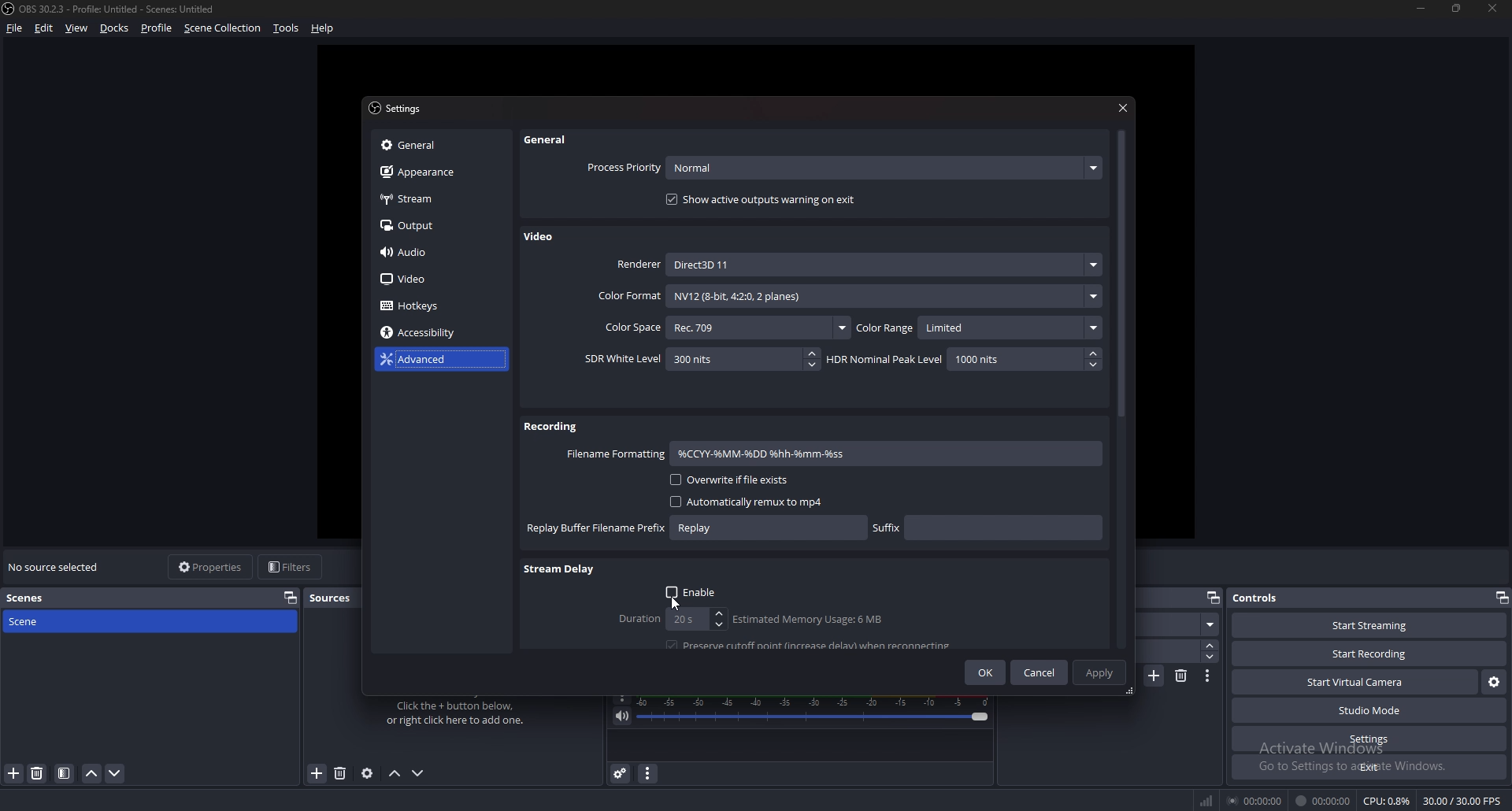 The image size is (1512, 811). I want to click on Output, so click(437, 224).